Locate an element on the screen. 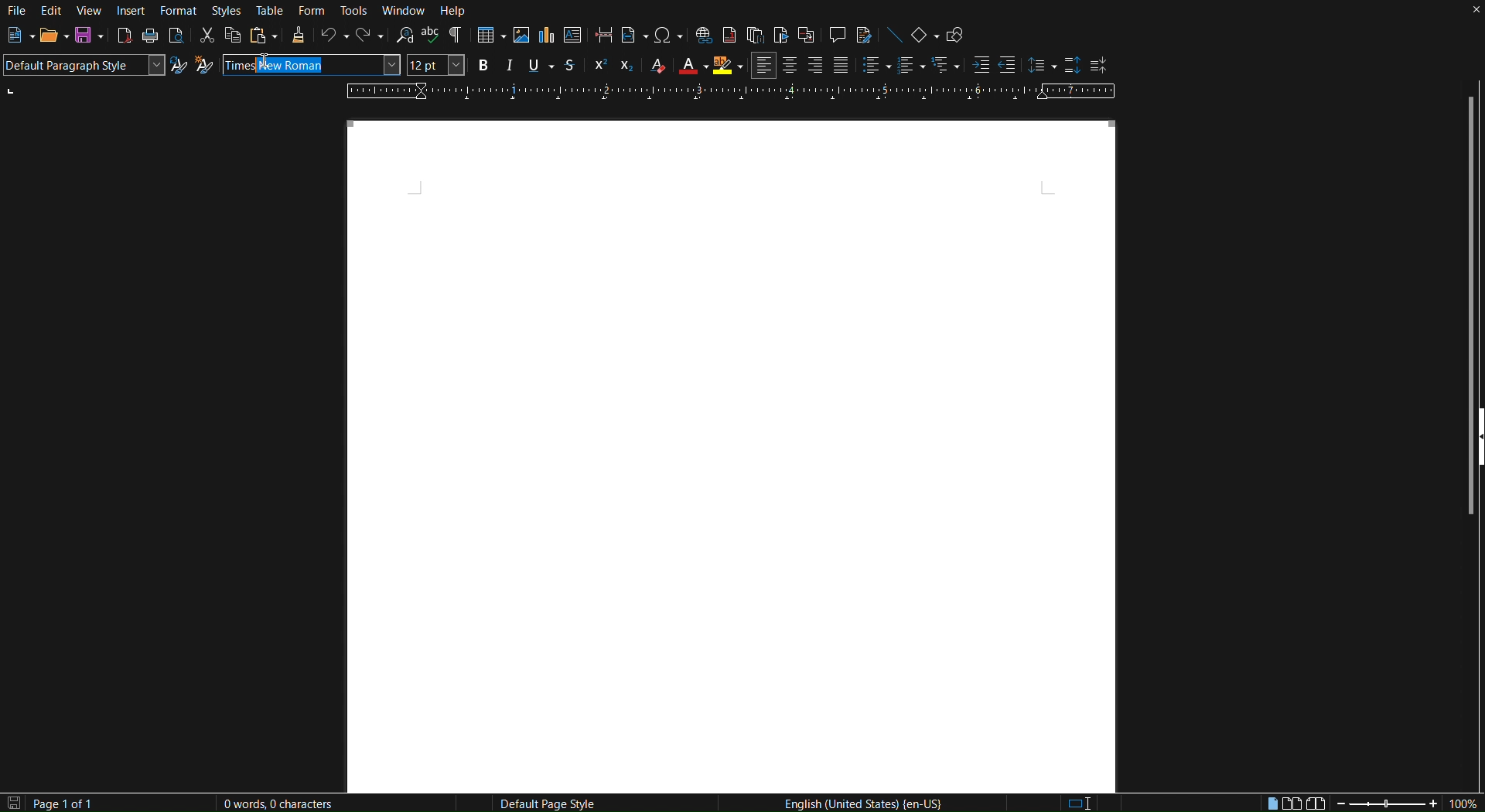  0 Words, 0 Characters is located at coordinates (276, 801).